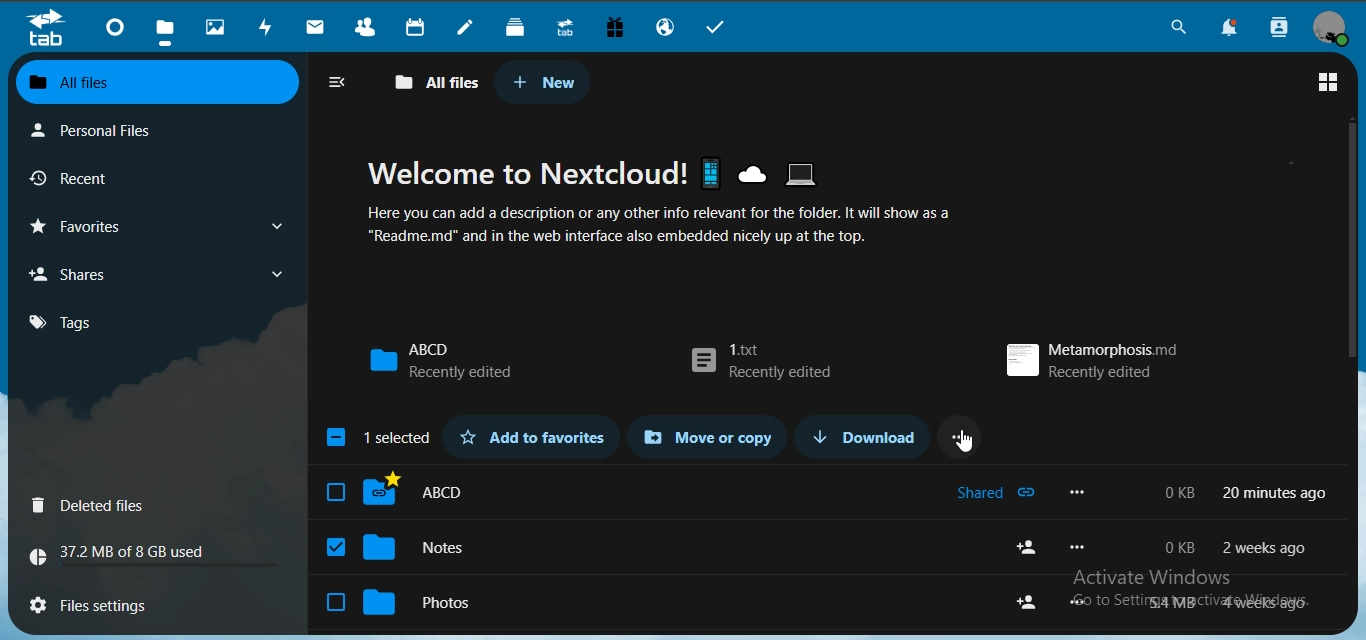 The width and height of the screenshot is (1366, 640). Describe the element at coordinates (166, 26) in the screenshot. I see `files` at that location.